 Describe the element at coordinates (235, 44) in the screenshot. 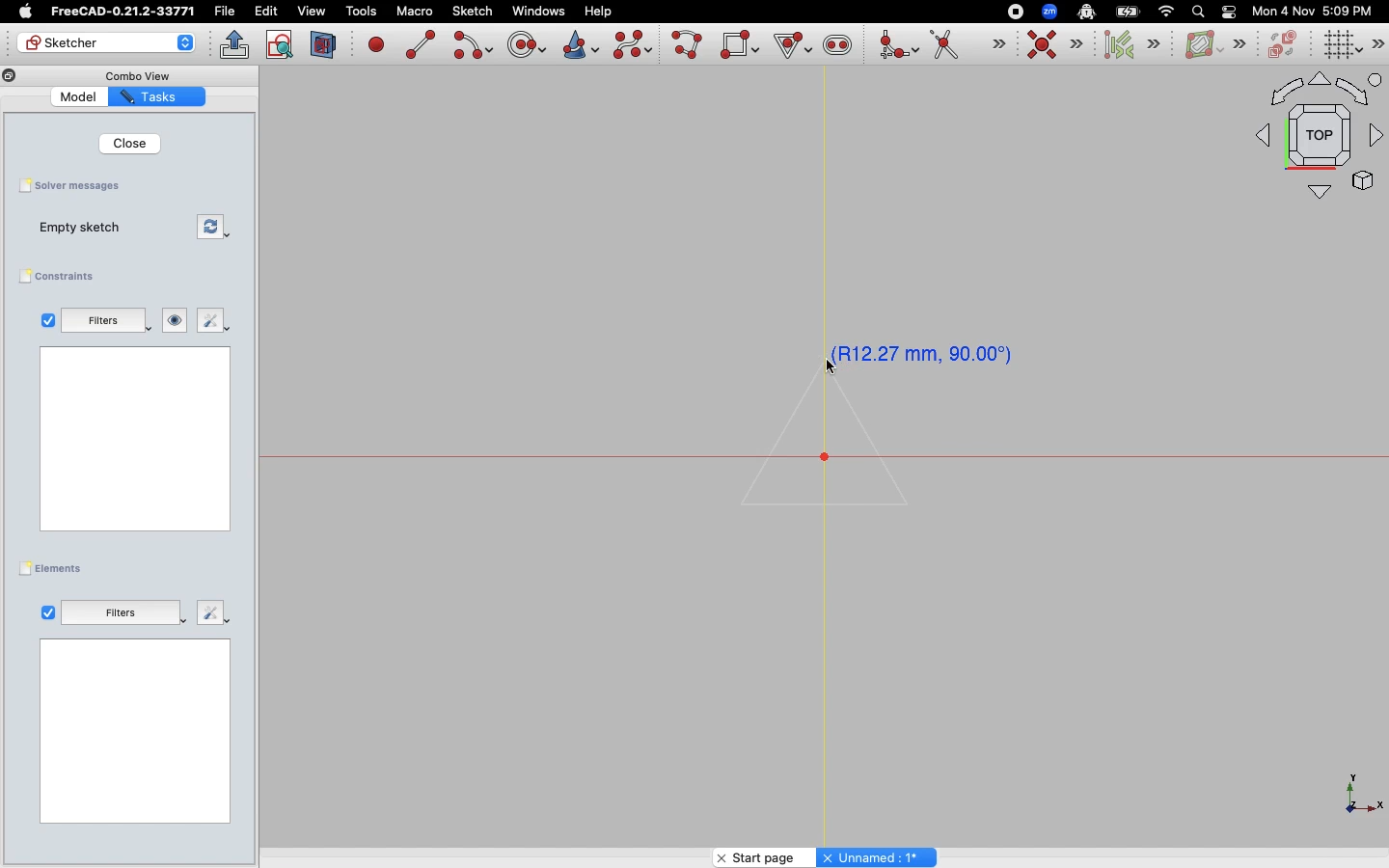

I see `Leave sketch` at that location.